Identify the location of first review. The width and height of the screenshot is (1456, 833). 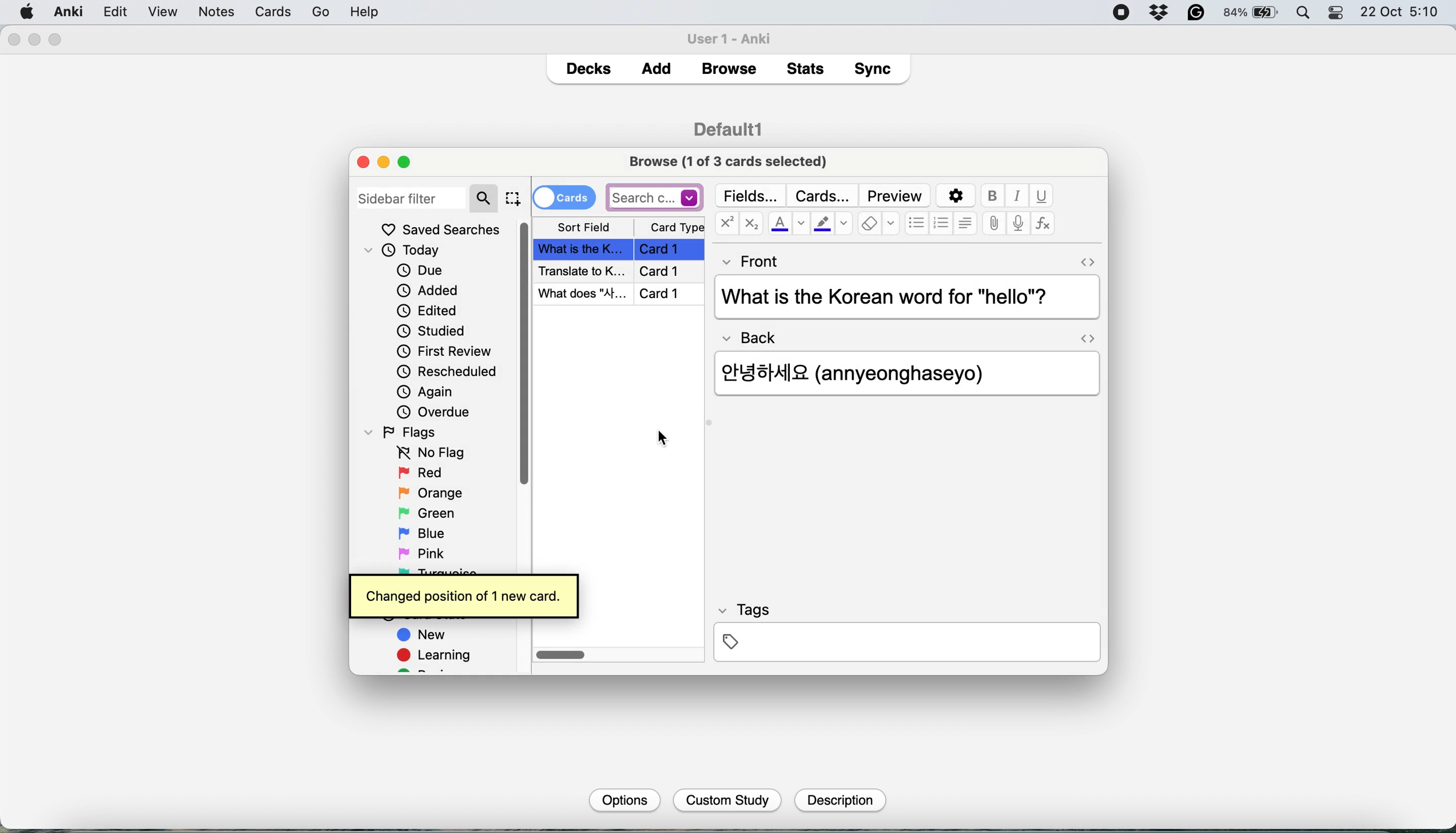
(444, 353).